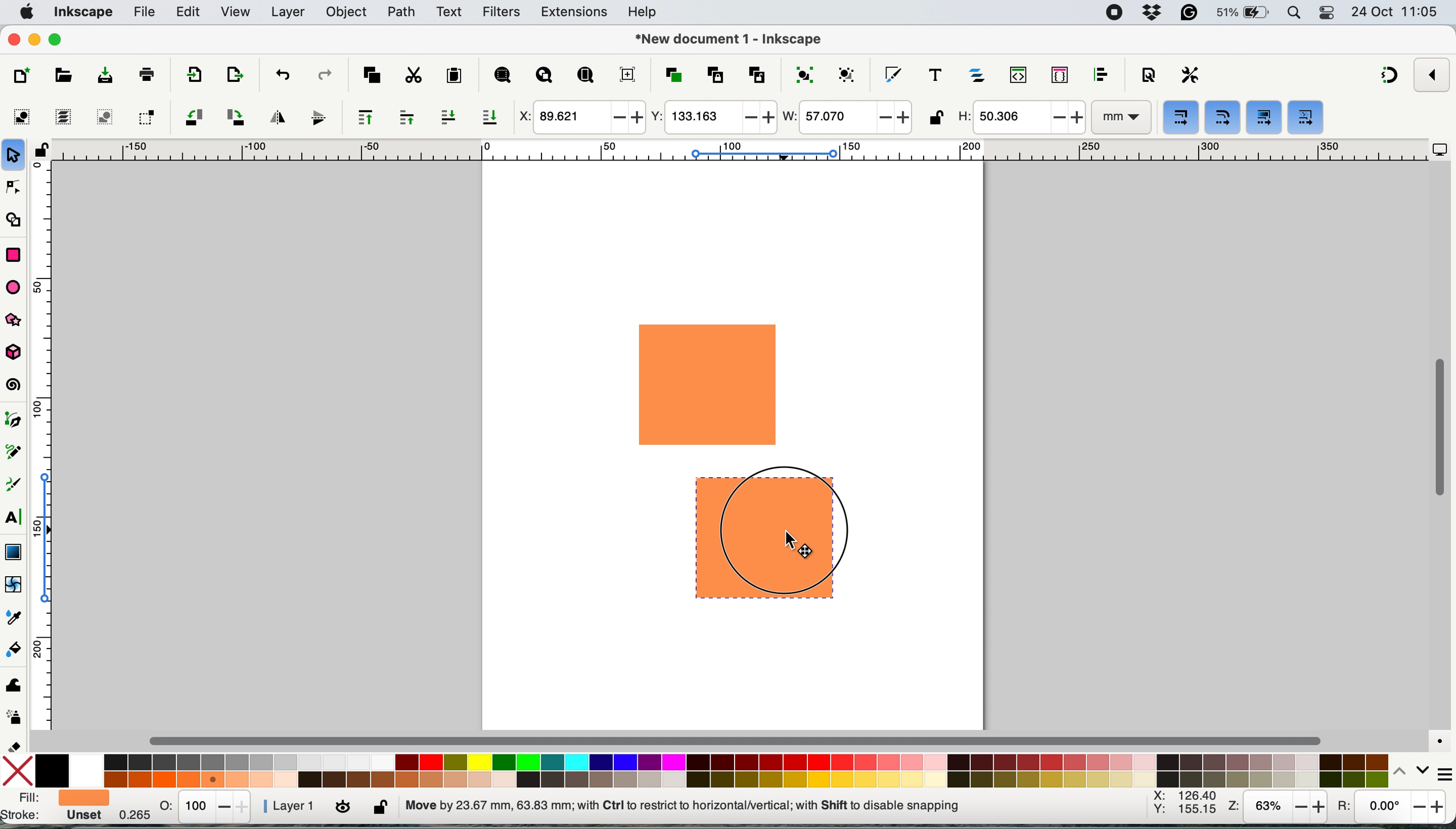 The height and width of the screenshot is (829, 1456). I want to click on maximise, so click(59, 39).